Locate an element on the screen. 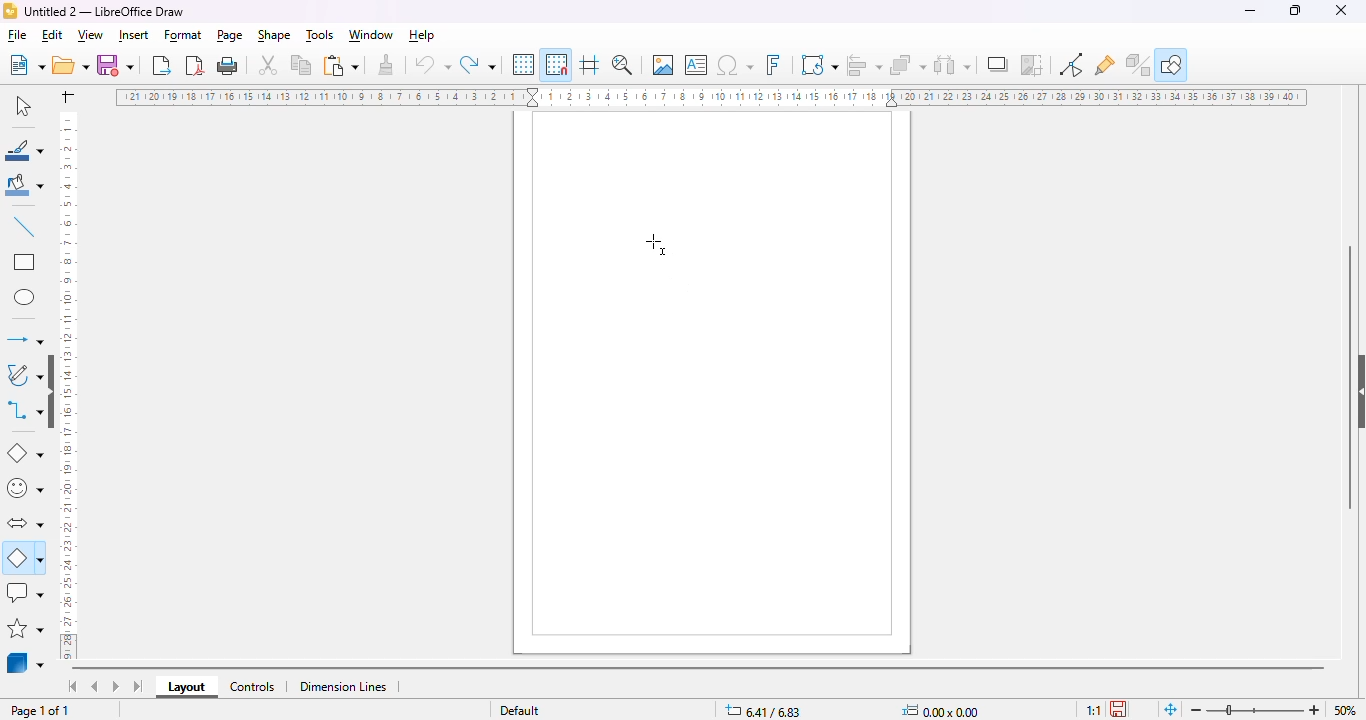  horizontal scroll bar is located at coordinates (702, 669).